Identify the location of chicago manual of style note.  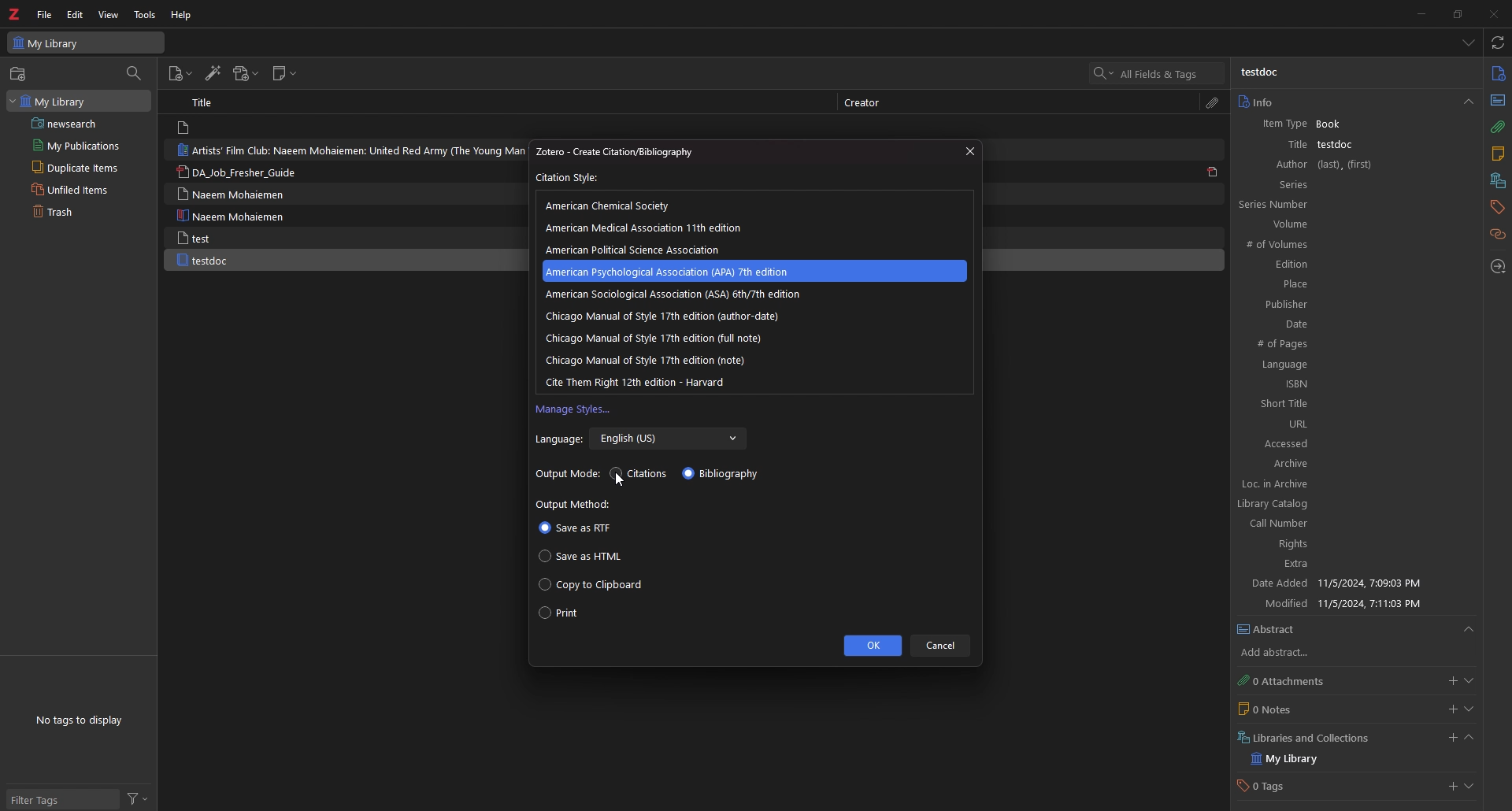
(647, 360).